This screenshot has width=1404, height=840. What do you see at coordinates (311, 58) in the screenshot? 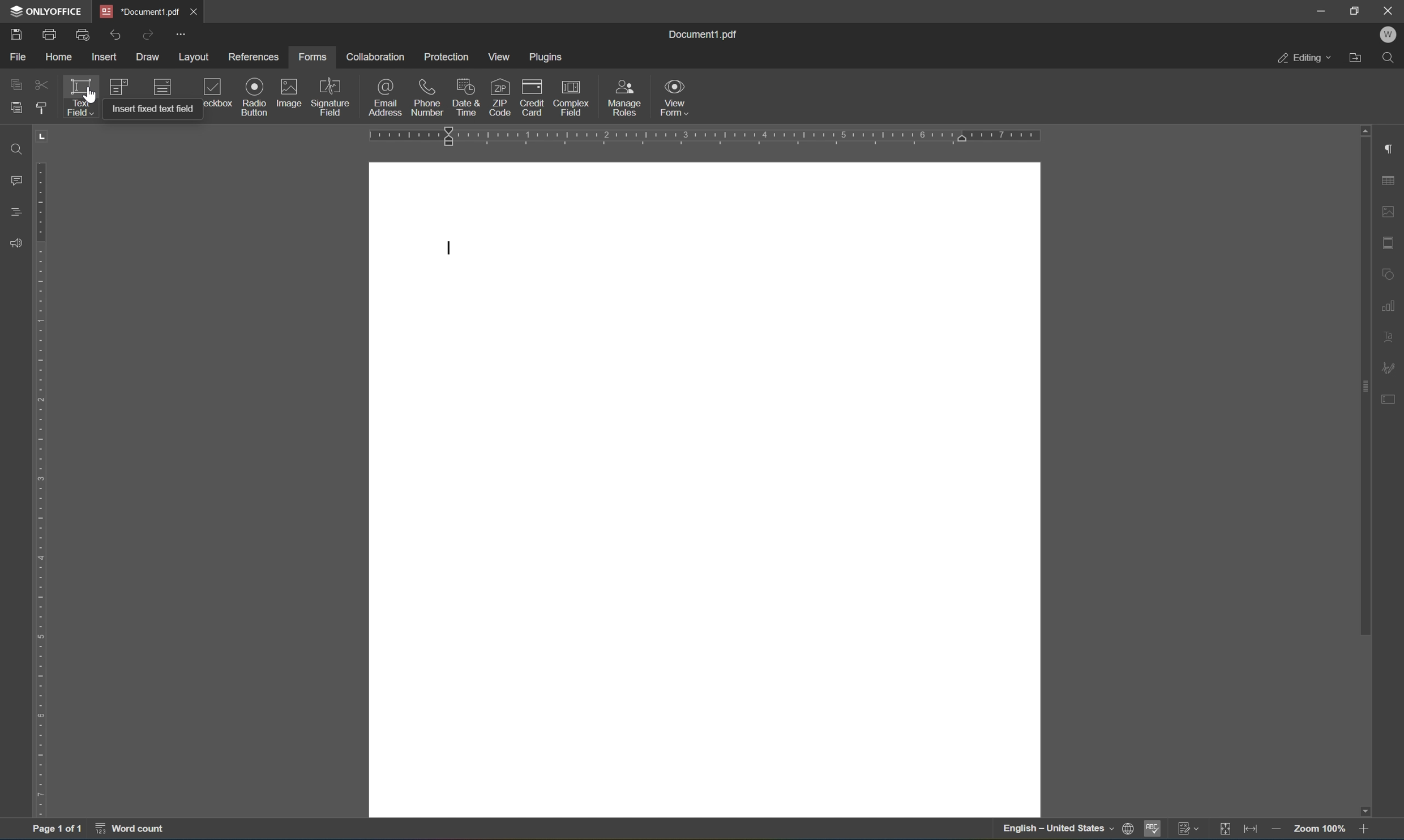
I see `forms` at bounding box center [311, 58].